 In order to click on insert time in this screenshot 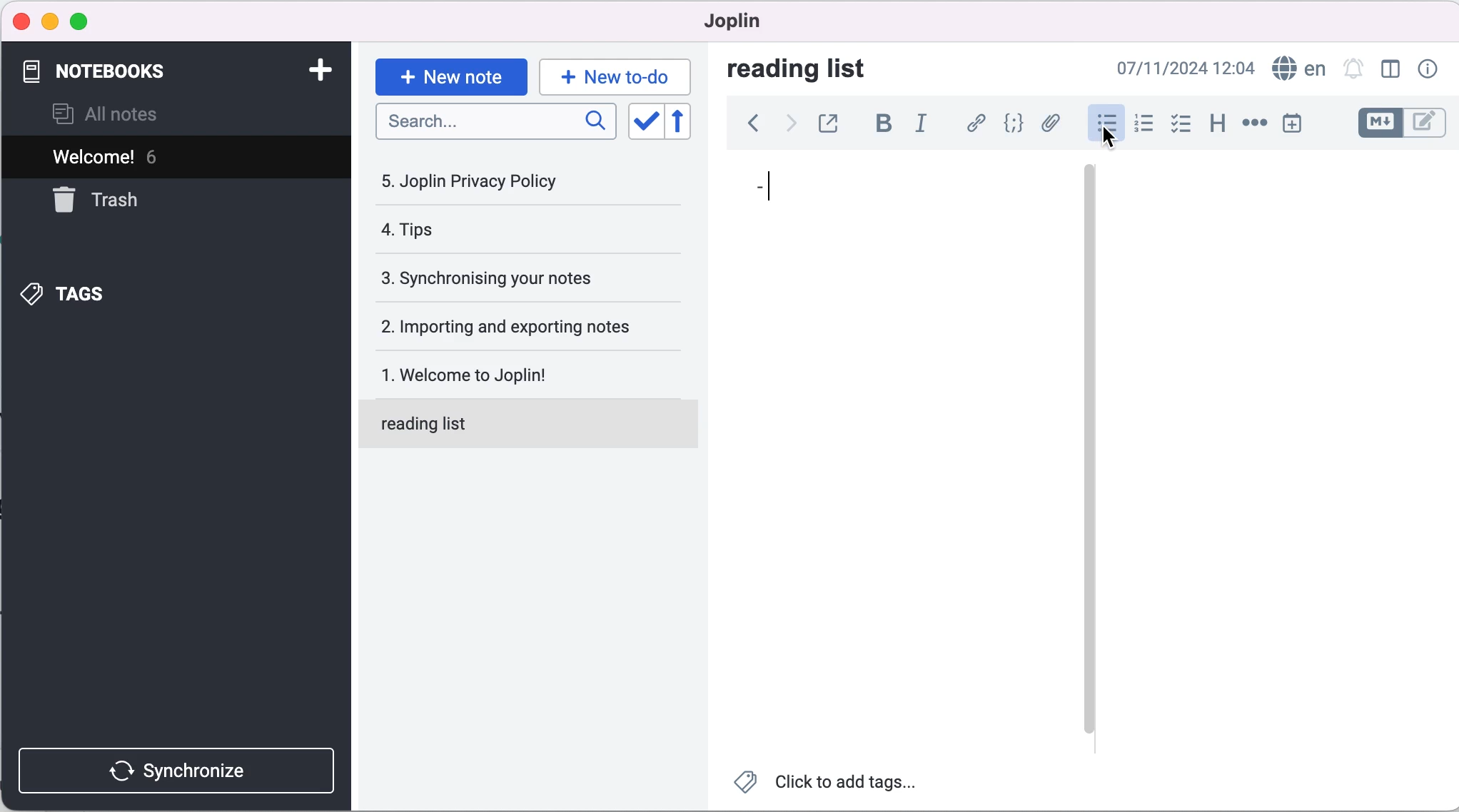, I will do `click(1291, 126)`.